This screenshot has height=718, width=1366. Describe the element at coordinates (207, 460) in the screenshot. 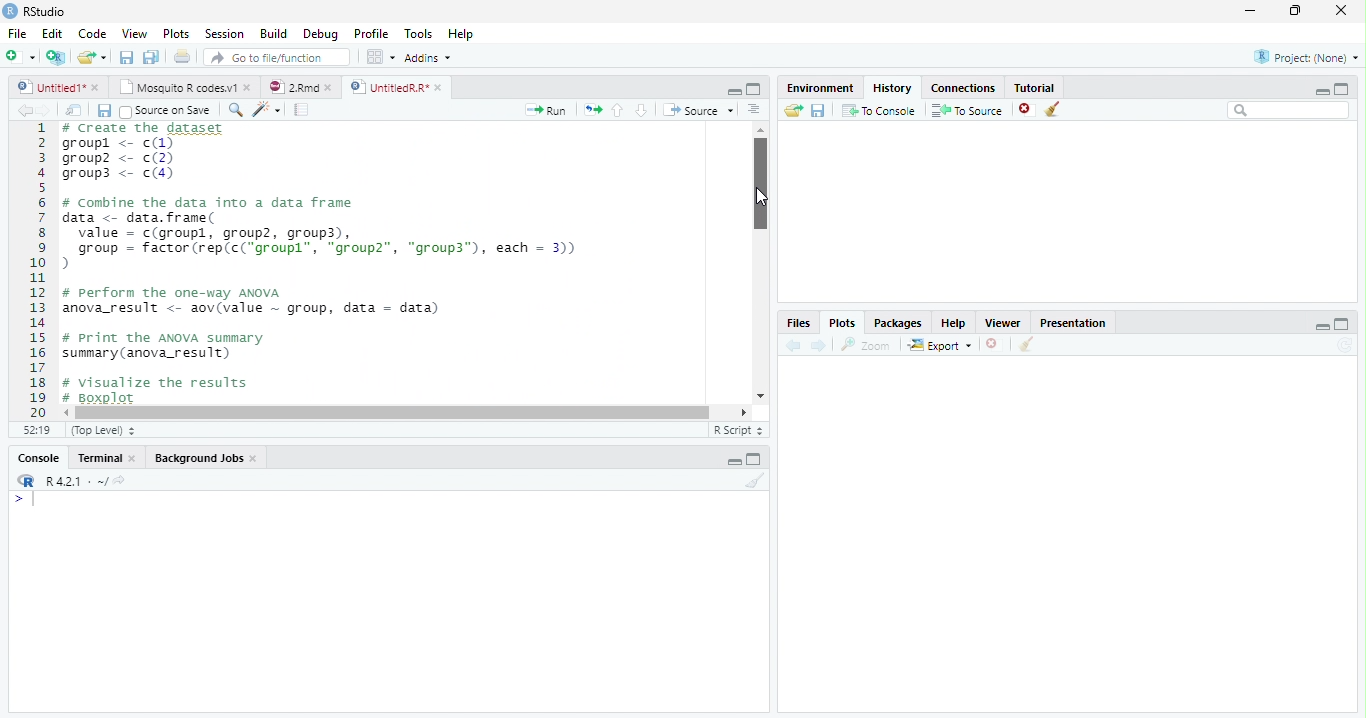

I see `background jobs` at that location.